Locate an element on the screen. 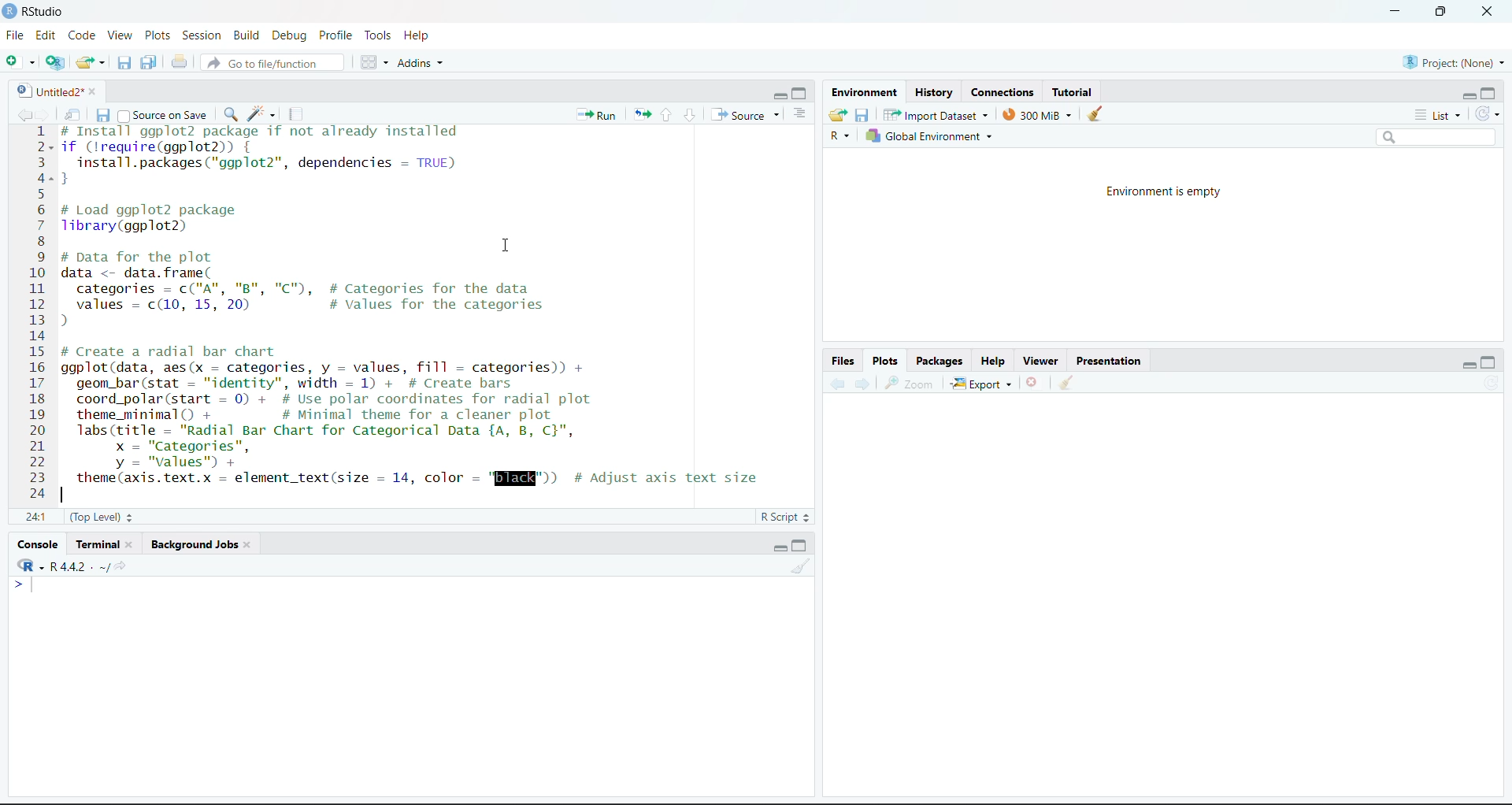  RStudio is located at coordinates (40, 11).